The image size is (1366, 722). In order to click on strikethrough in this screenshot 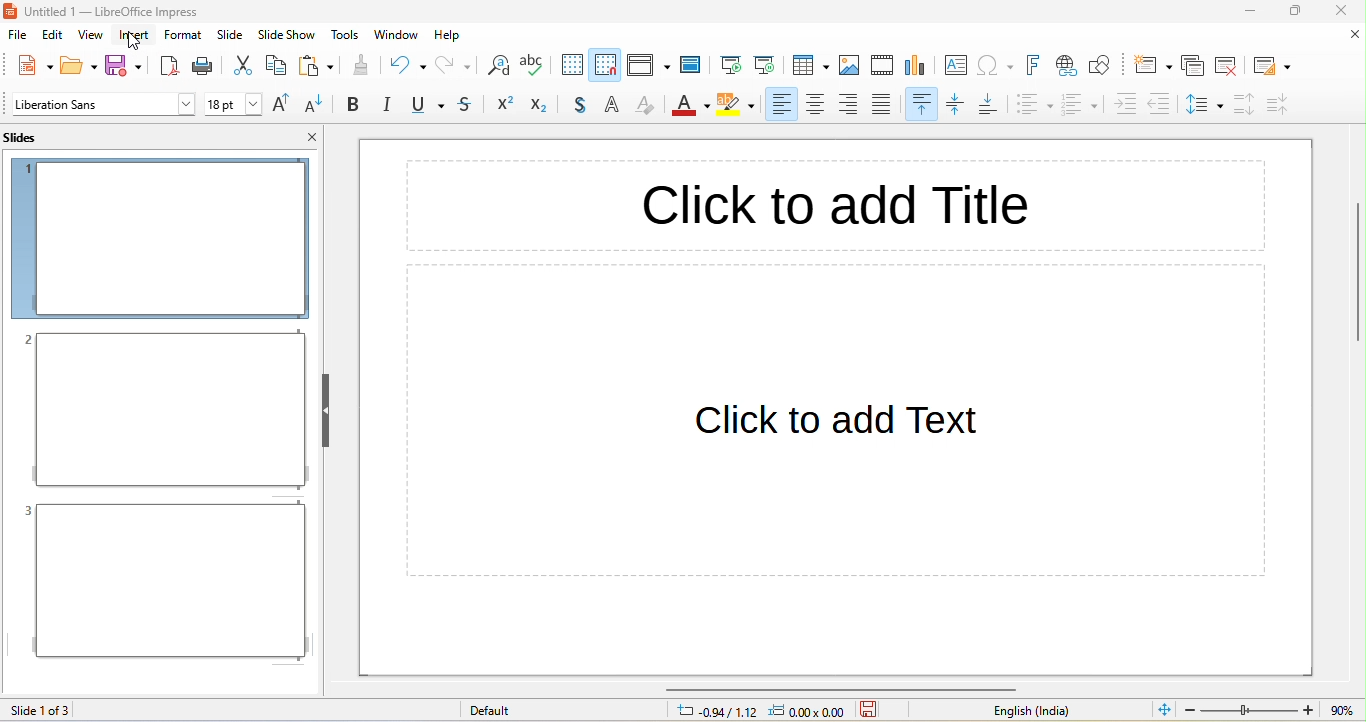, I will do `click(467, 106)`.